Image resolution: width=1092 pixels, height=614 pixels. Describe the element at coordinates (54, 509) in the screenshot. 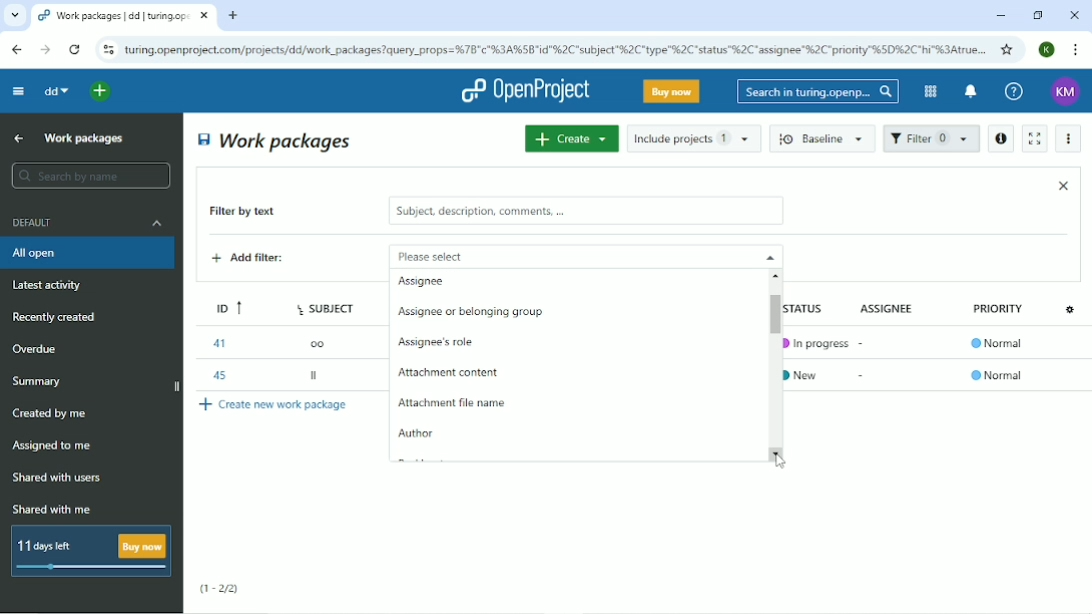

I see `Shared with me` at that location.